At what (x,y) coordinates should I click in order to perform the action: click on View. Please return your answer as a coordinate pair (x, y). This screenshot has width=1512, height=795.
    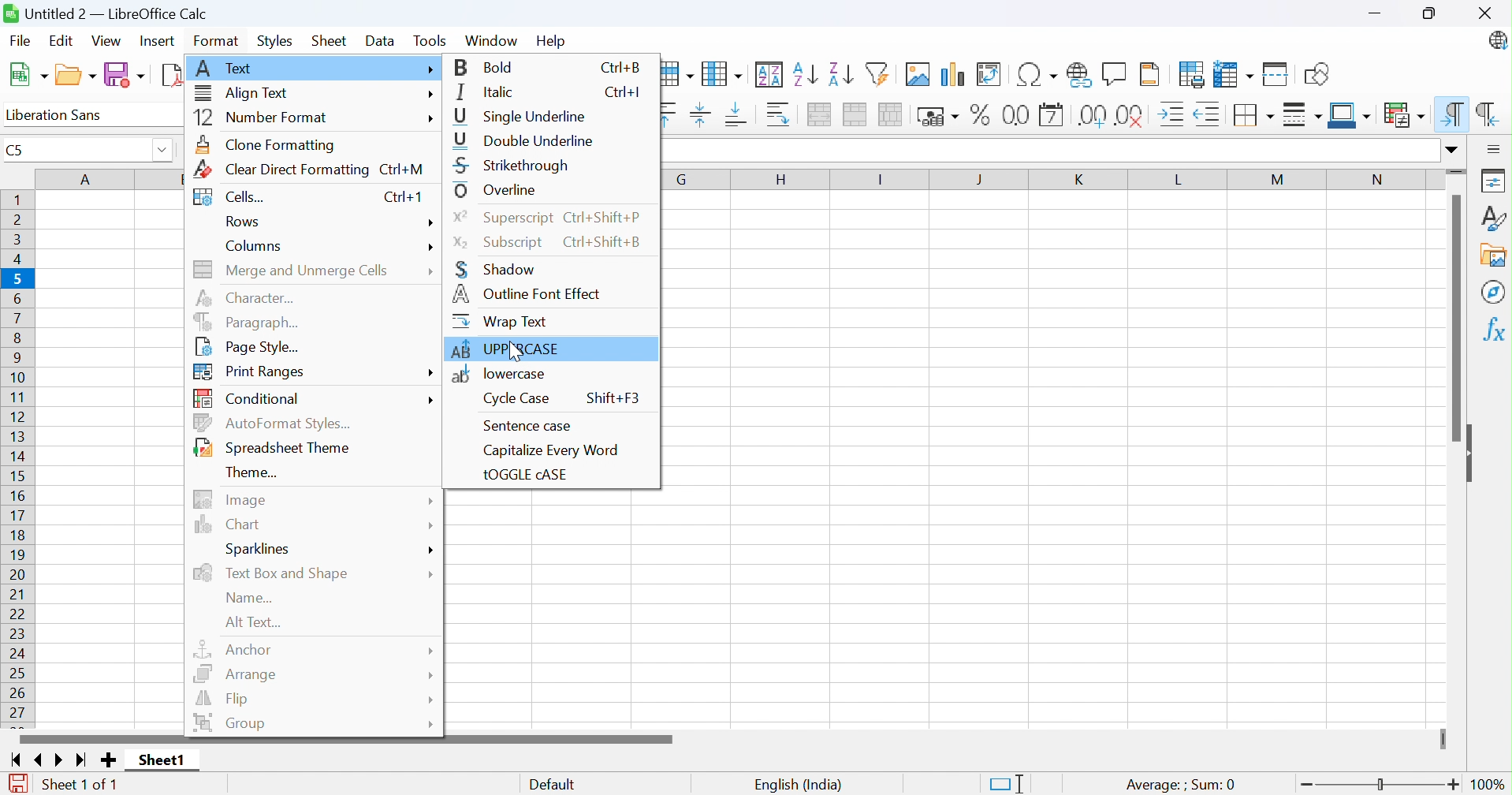
    Looking at the image, I should click on (107, 41).